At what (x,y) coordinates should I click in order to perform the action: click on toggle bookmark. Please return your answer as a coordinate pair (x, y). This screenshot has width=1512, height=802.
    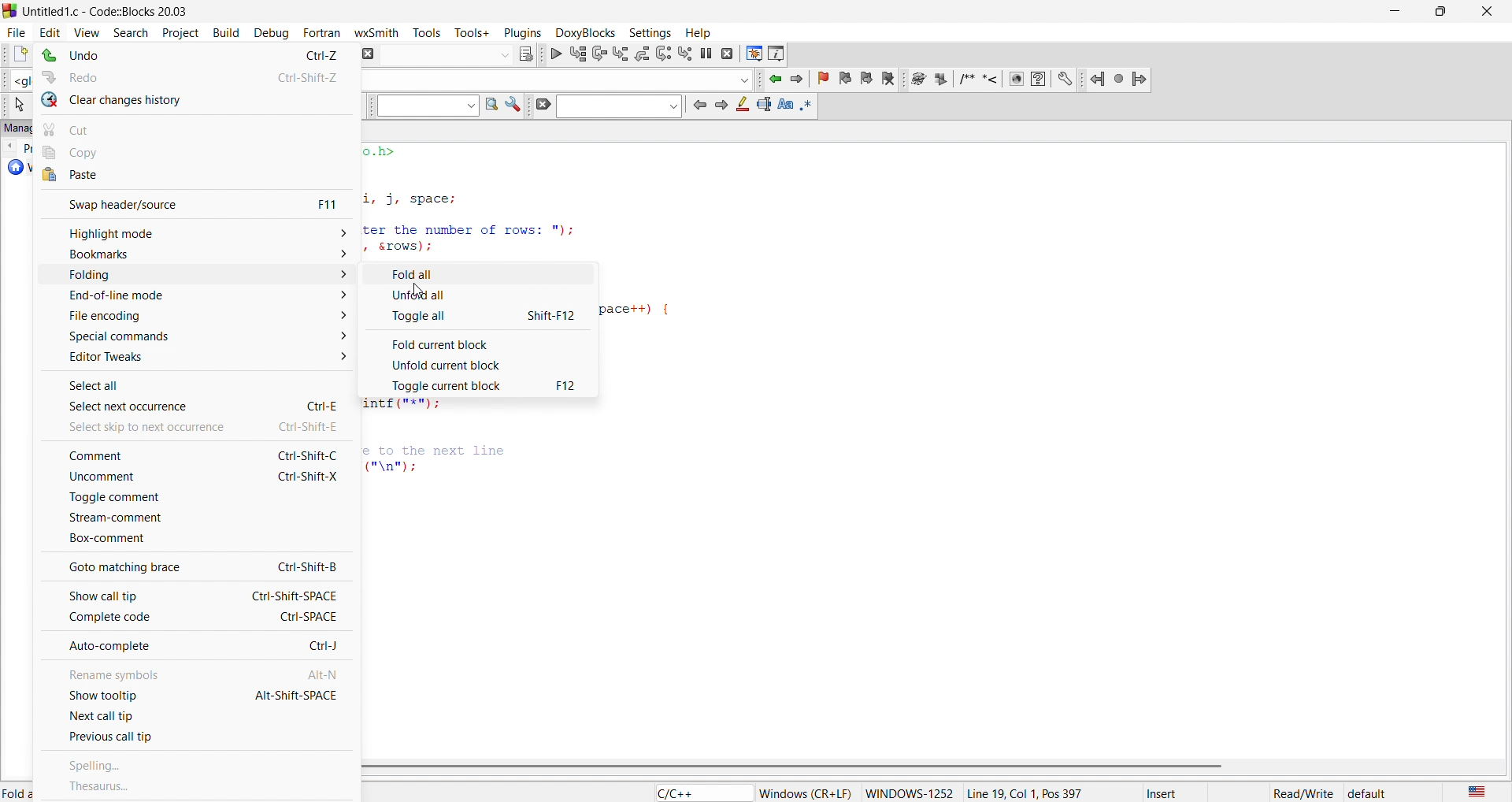
    Looking at the image, I should click on (826, 79).